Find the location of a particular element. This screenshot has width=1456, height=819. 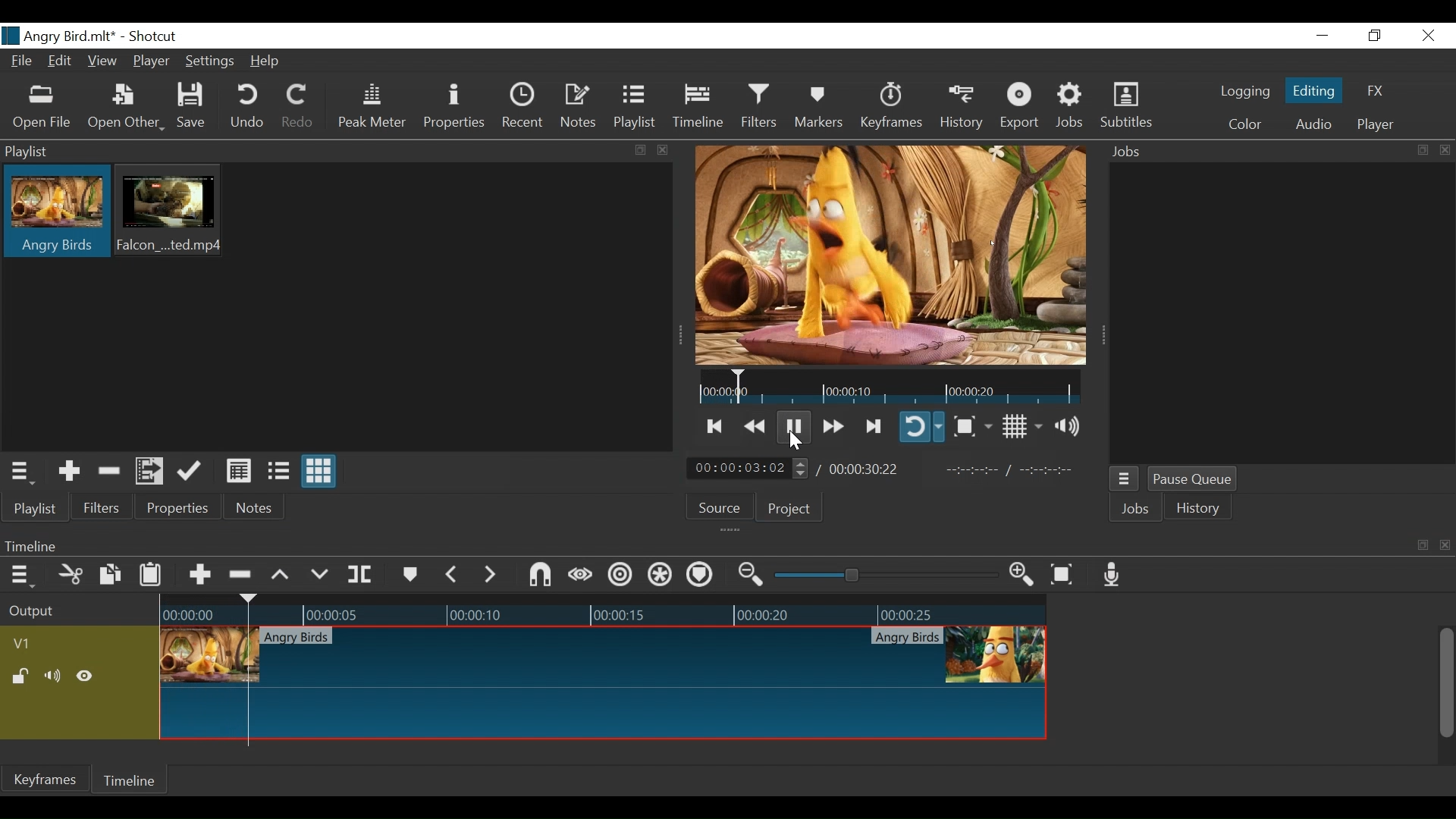

timeline is located at coordinates (886, 389).